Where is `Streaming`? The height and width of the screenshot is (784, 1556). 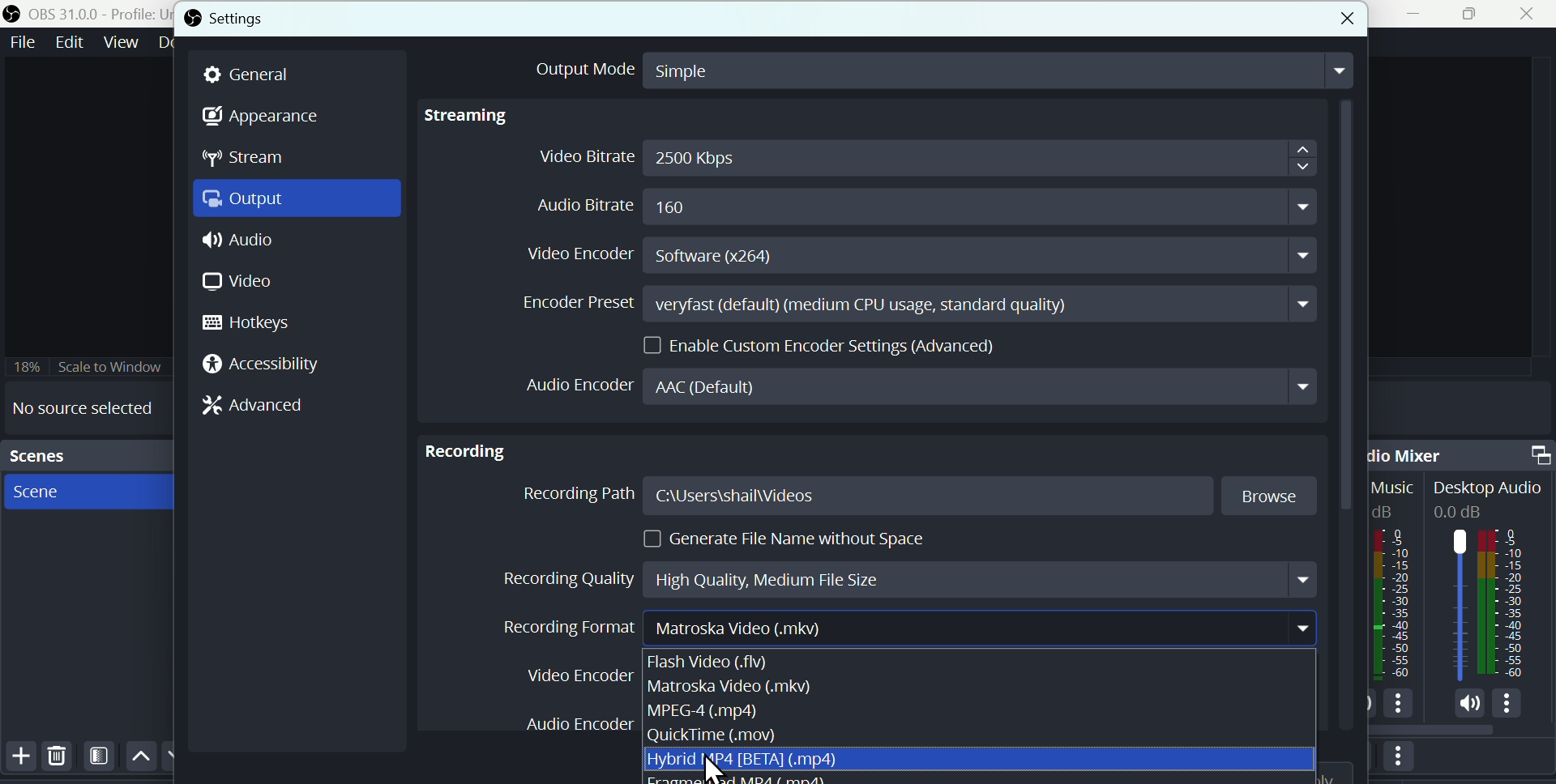
Streaming is located at coordinates (472, 121).